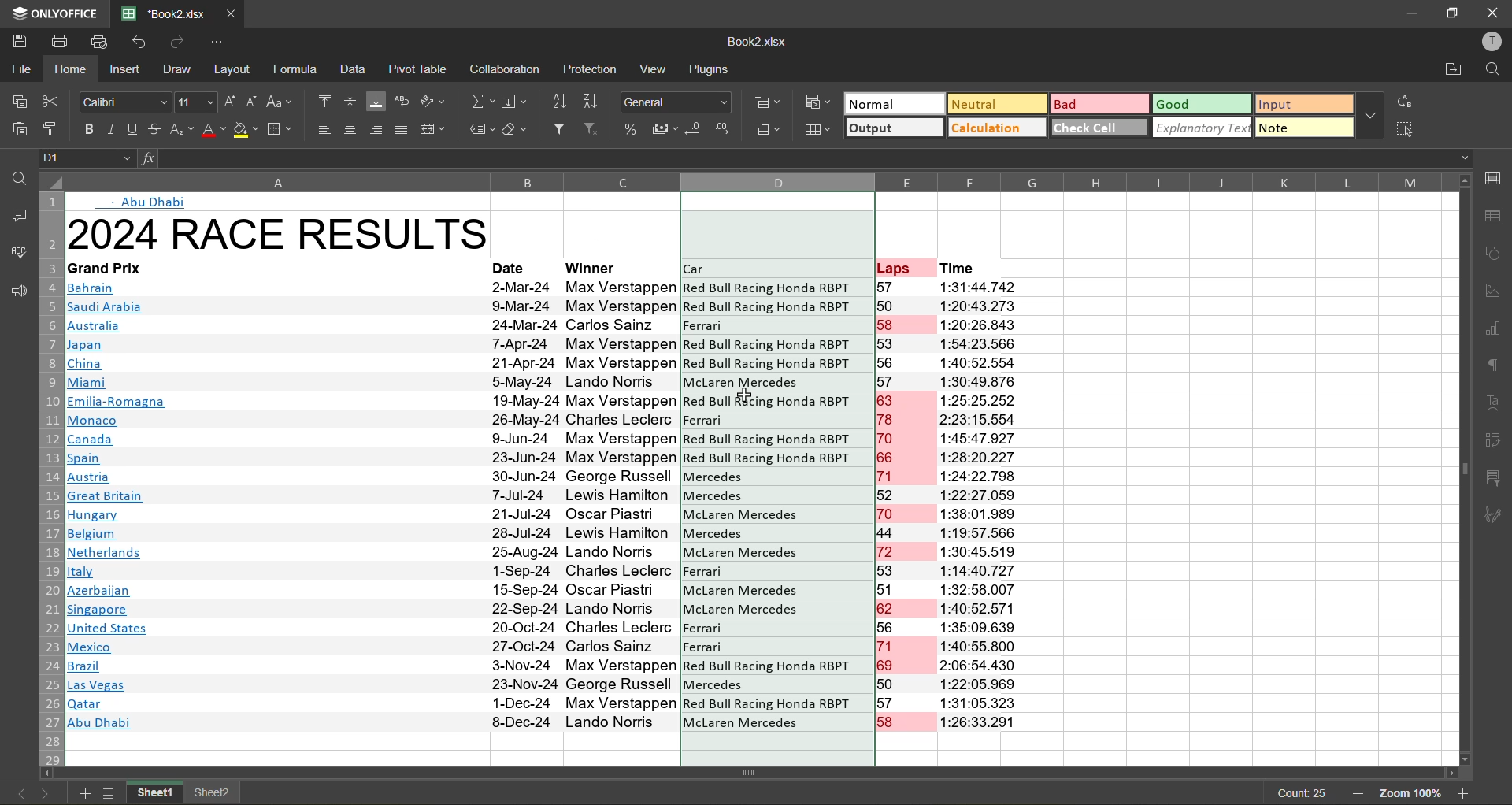 This screenshot has height=805, width=1512. I want to click on Belgium 28-Jul-24 Lewis Hamilton Mercedes 44 1:19:57.566, so click(549, 535).